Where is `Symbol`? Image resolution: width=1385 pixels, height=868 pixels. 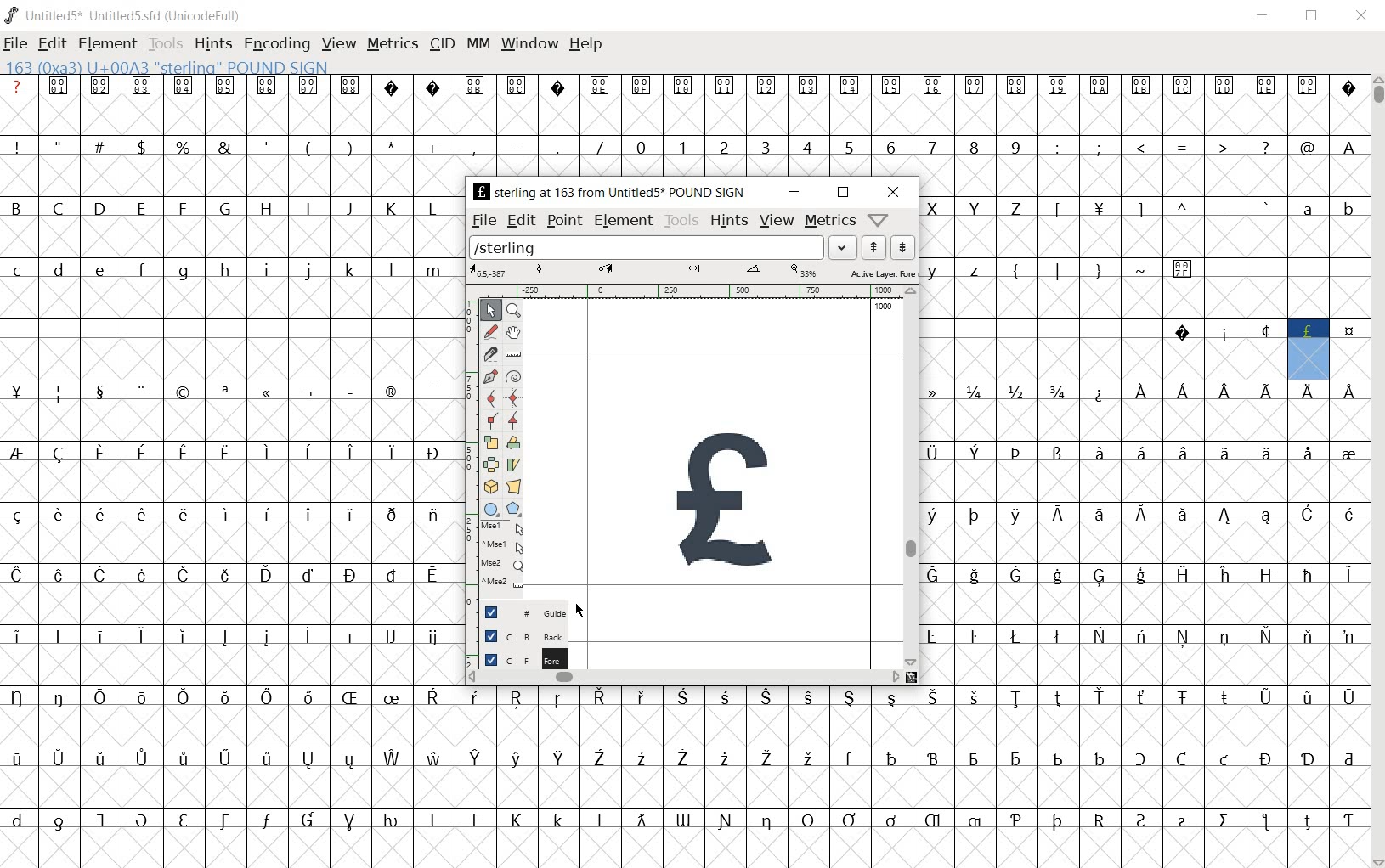
Symbol is located at coordinates (1226, 637).